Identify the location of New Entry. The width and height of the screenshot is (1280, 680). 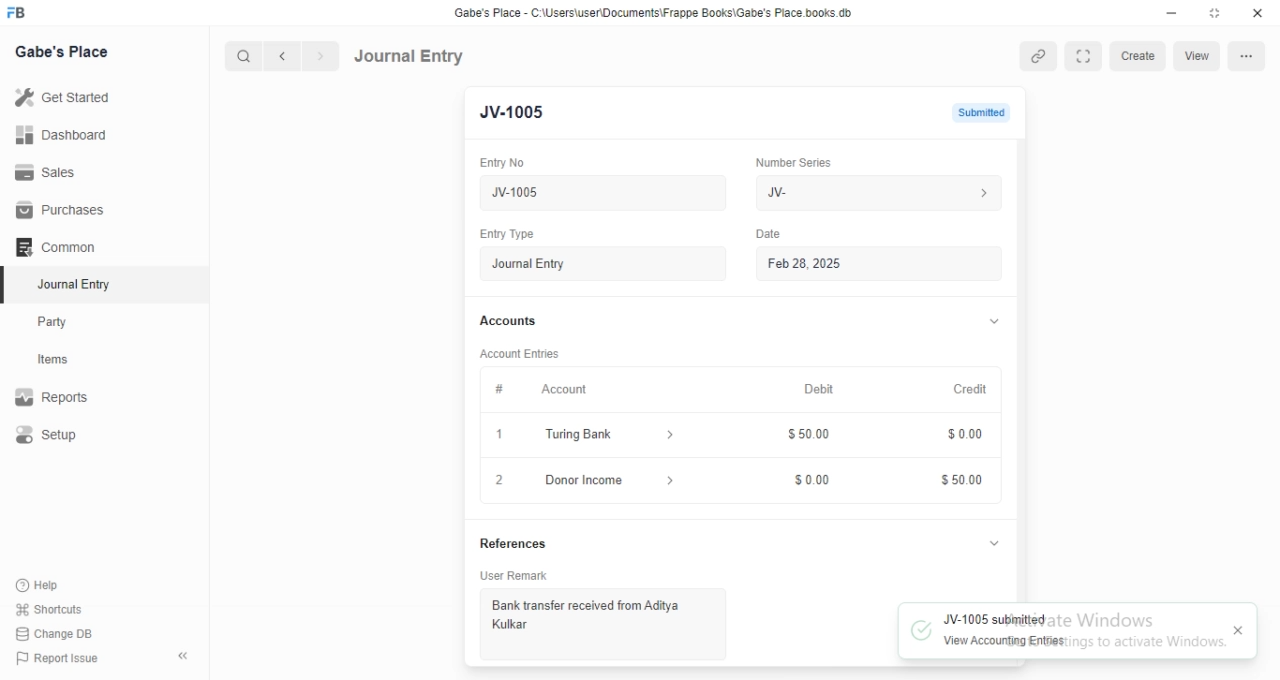
(519, 113).